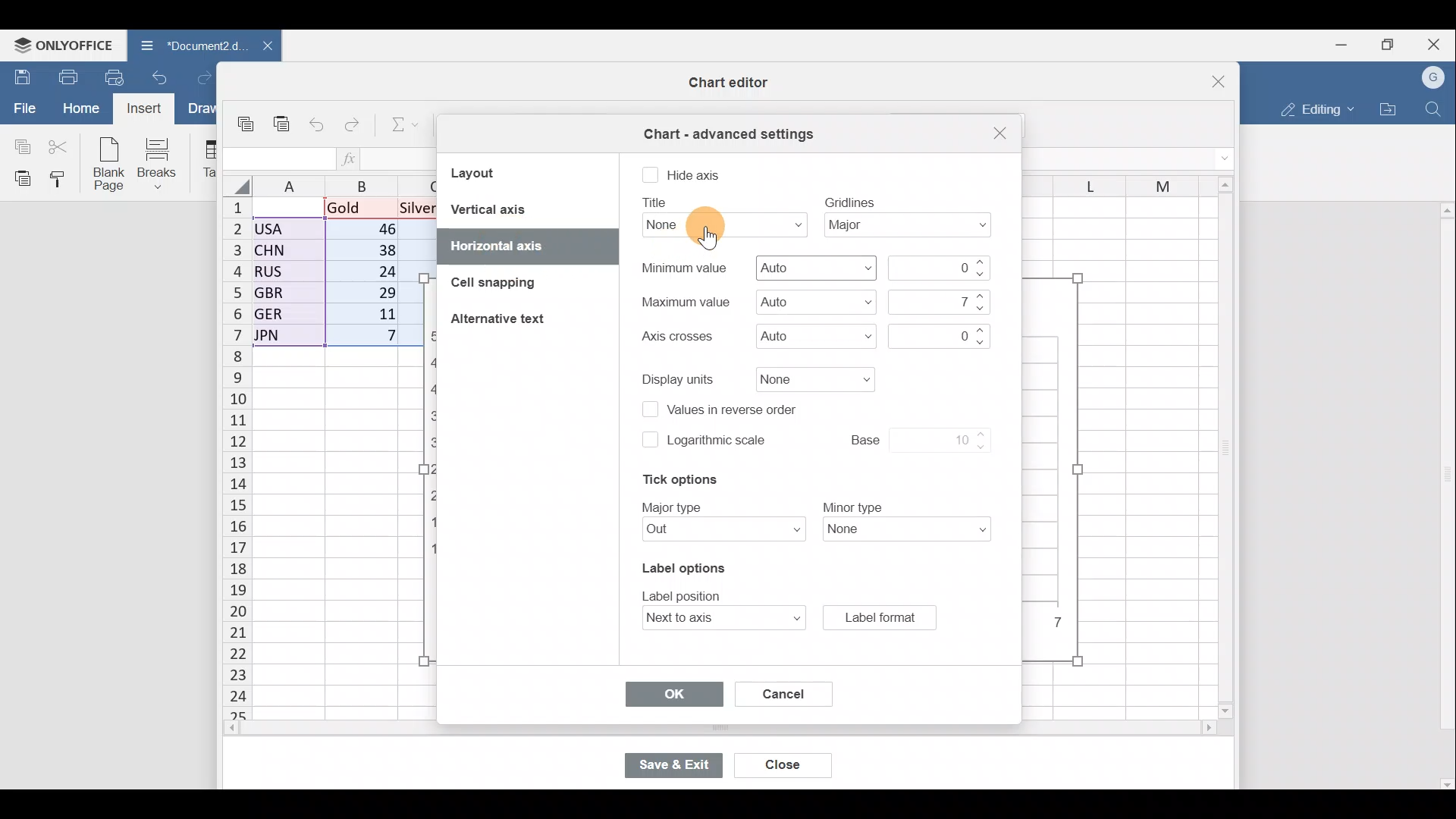  Describe the element at coordinates (697, 175) in the screenshot. I see `Hide axis` at that location.